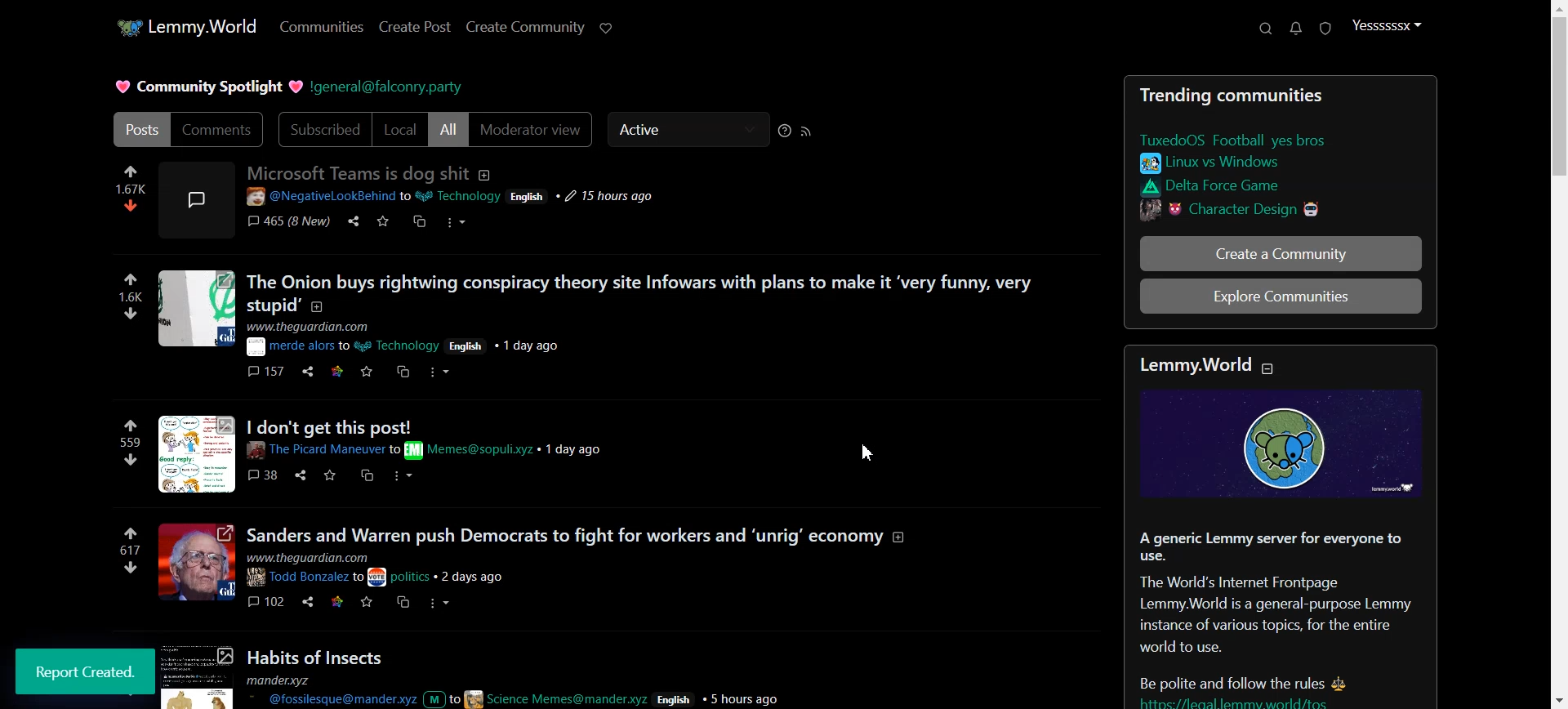  I want to click on Active, so click(687, 130).